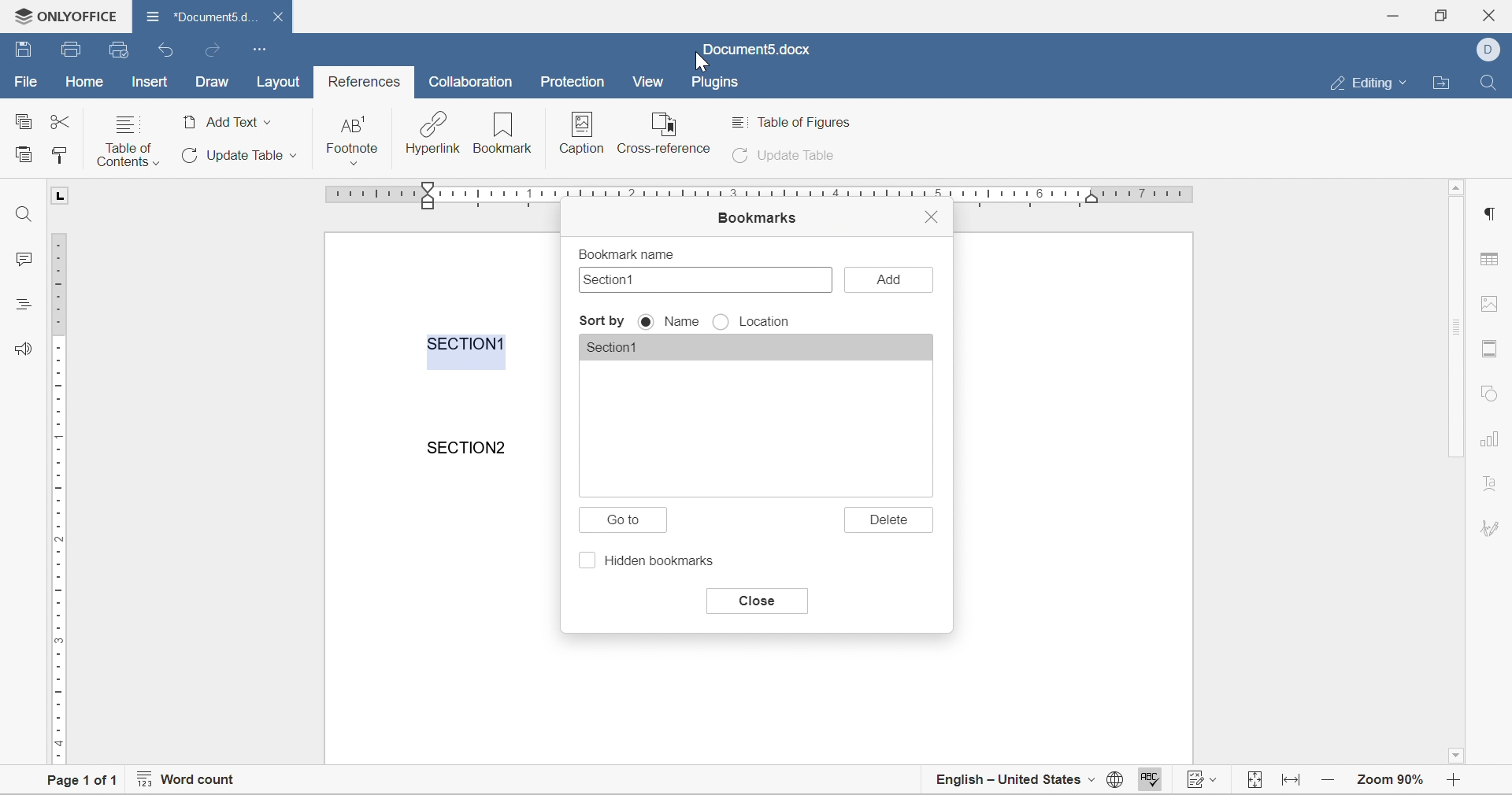  I want to click on zoom 90%, so click(1390, 778).